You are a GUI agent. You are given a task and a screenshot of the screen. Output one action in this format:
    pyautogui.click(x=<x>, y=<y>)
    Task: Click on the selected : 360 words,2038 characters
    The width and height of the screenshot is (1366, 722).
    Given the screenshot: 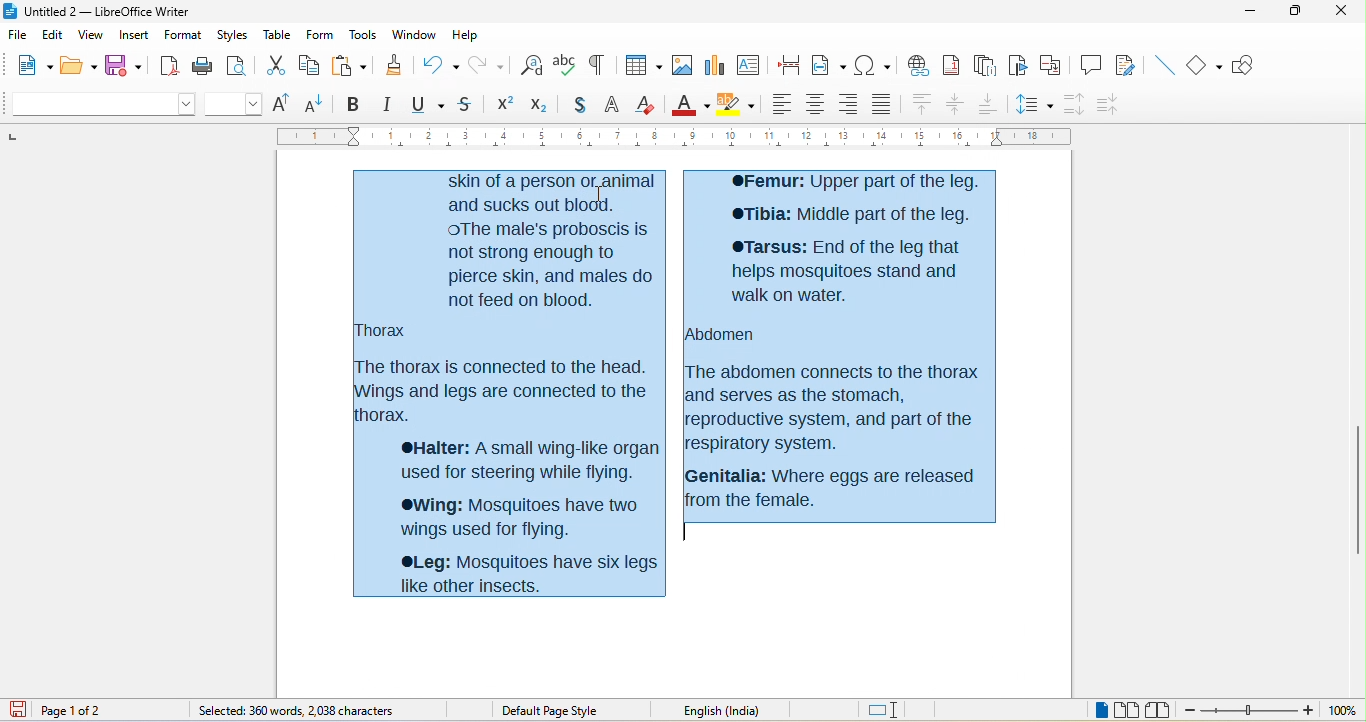 What is the action you would take?
    pyautogui.click(x=301, y=711)
    